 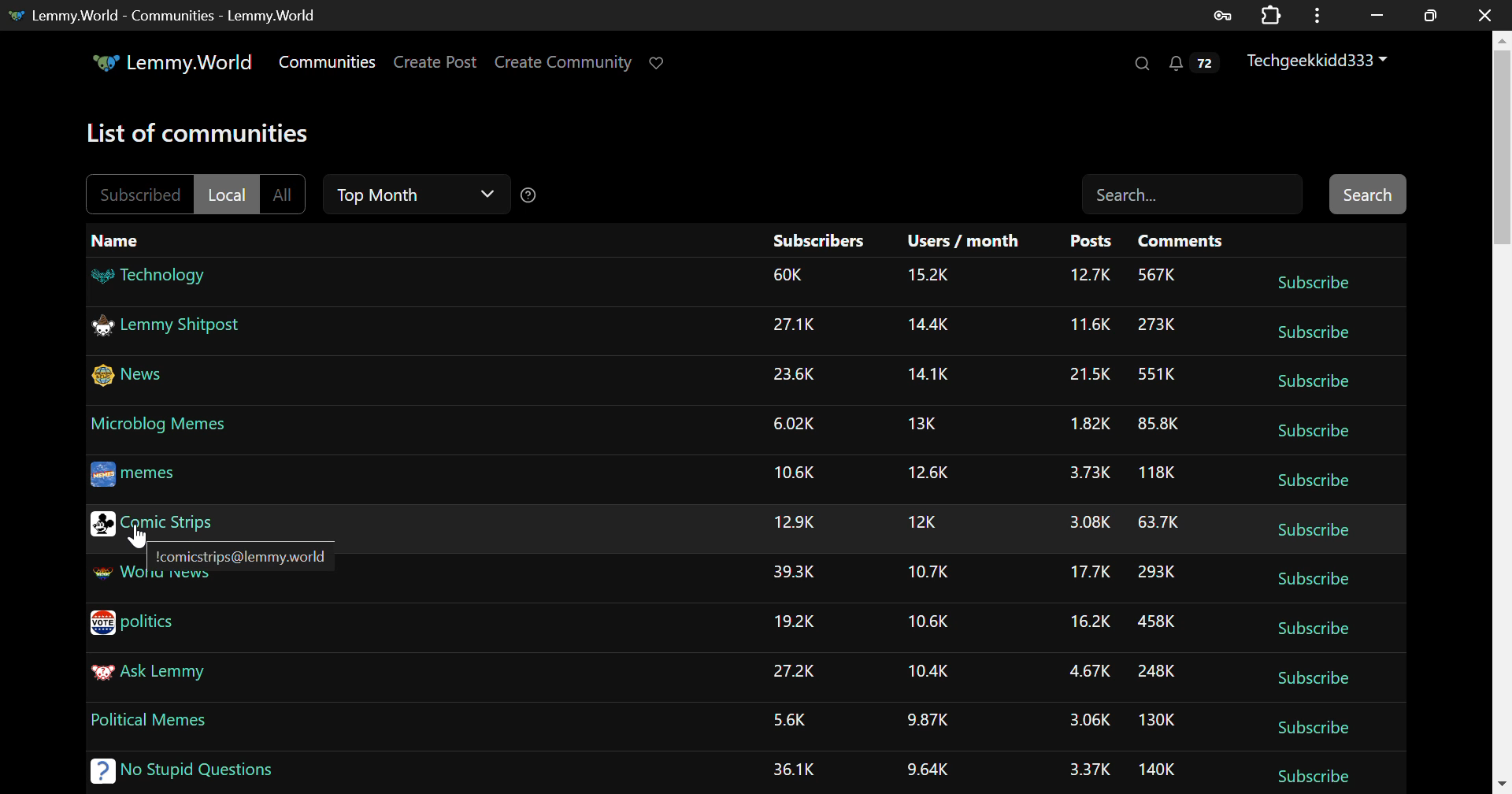 I want to click on Amount, so click(x=1091, y=722).